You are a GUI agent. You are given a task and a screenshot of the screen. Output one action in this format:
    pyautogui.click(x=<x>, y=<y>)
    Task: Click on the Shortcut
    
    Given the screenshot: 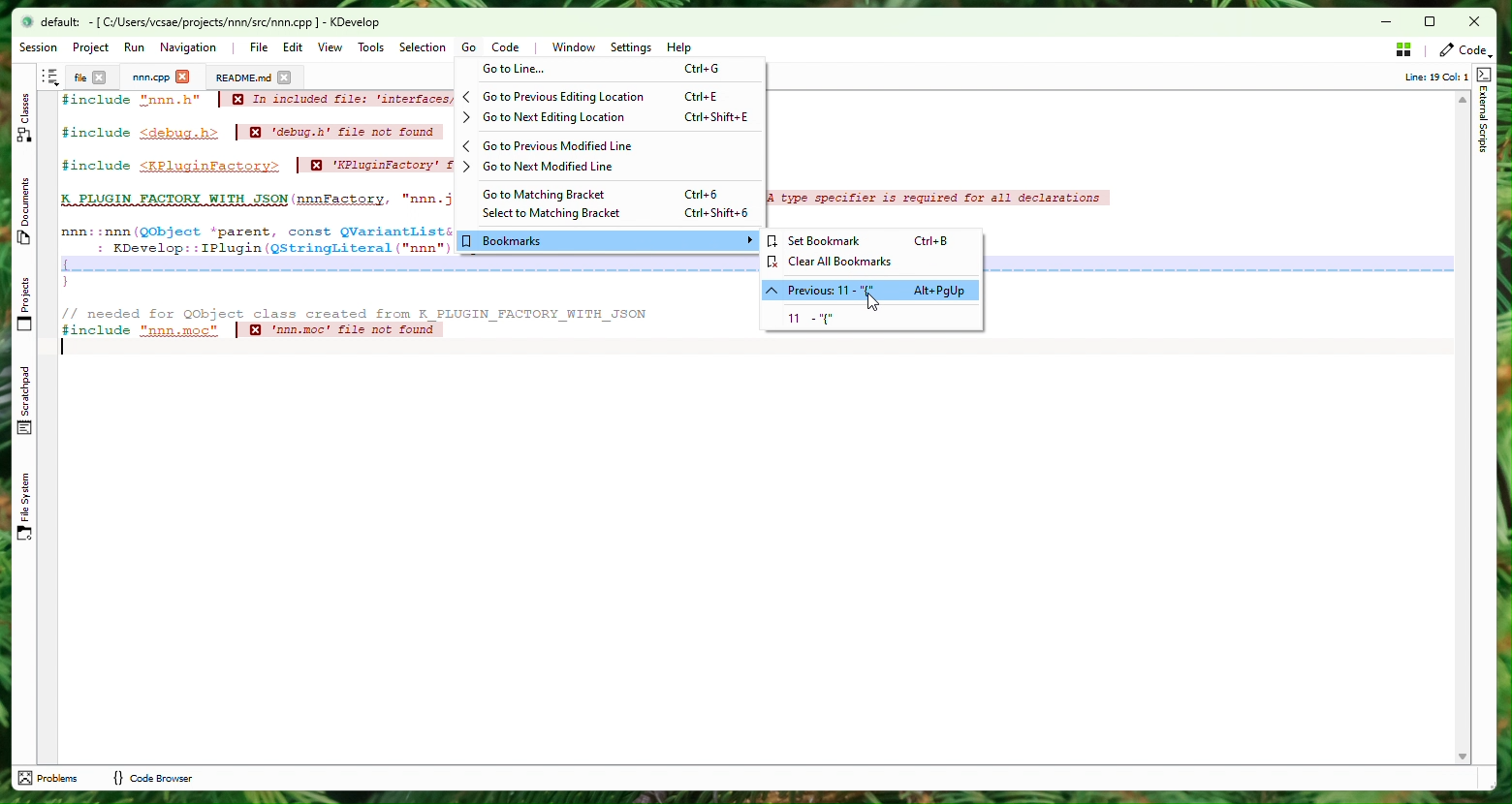 What is the action you would take?
    pyautogui.click(x=50, y=77)
    